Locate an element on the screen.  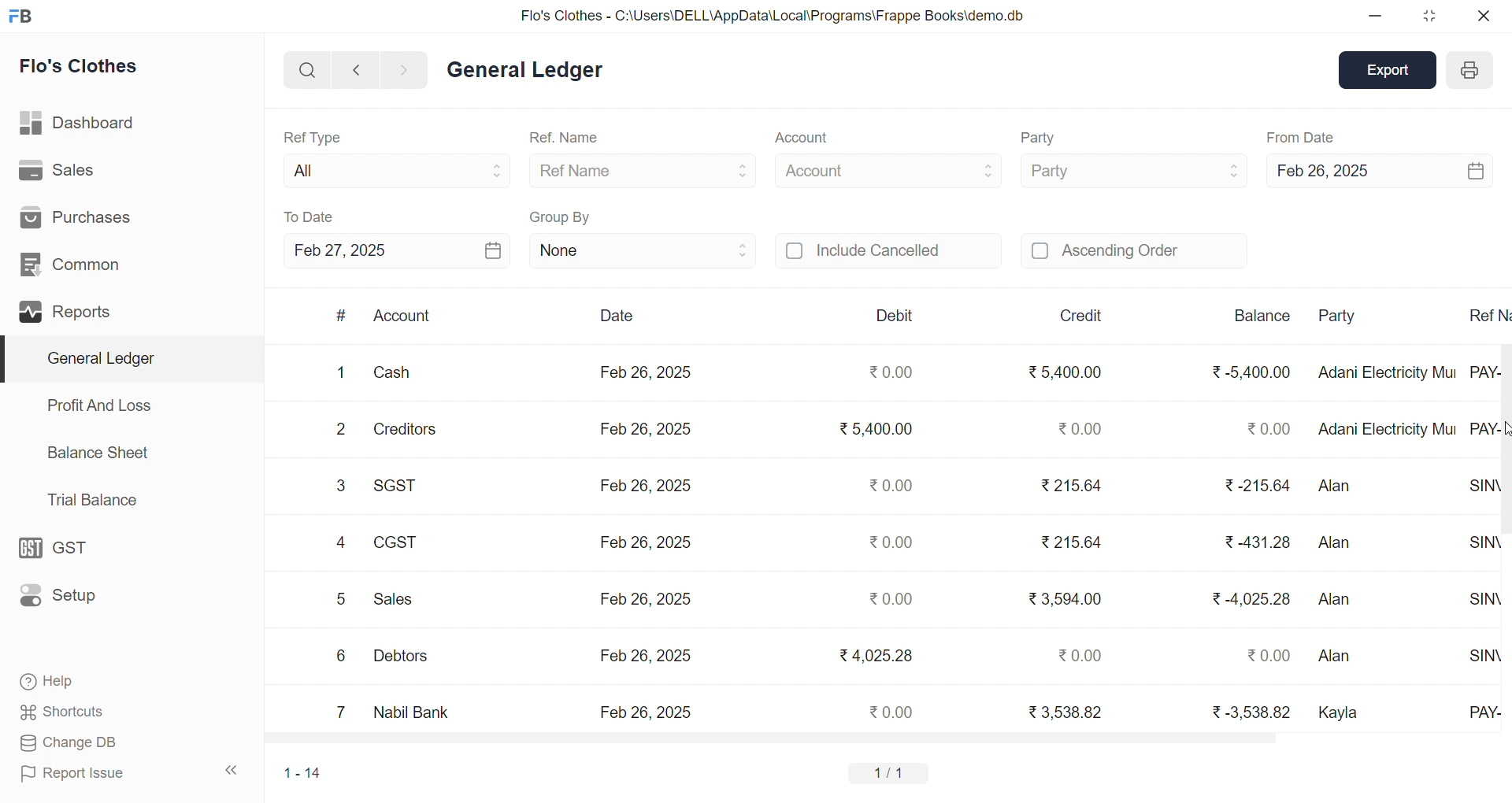
Report Issue is located at coordinates (74, 774).